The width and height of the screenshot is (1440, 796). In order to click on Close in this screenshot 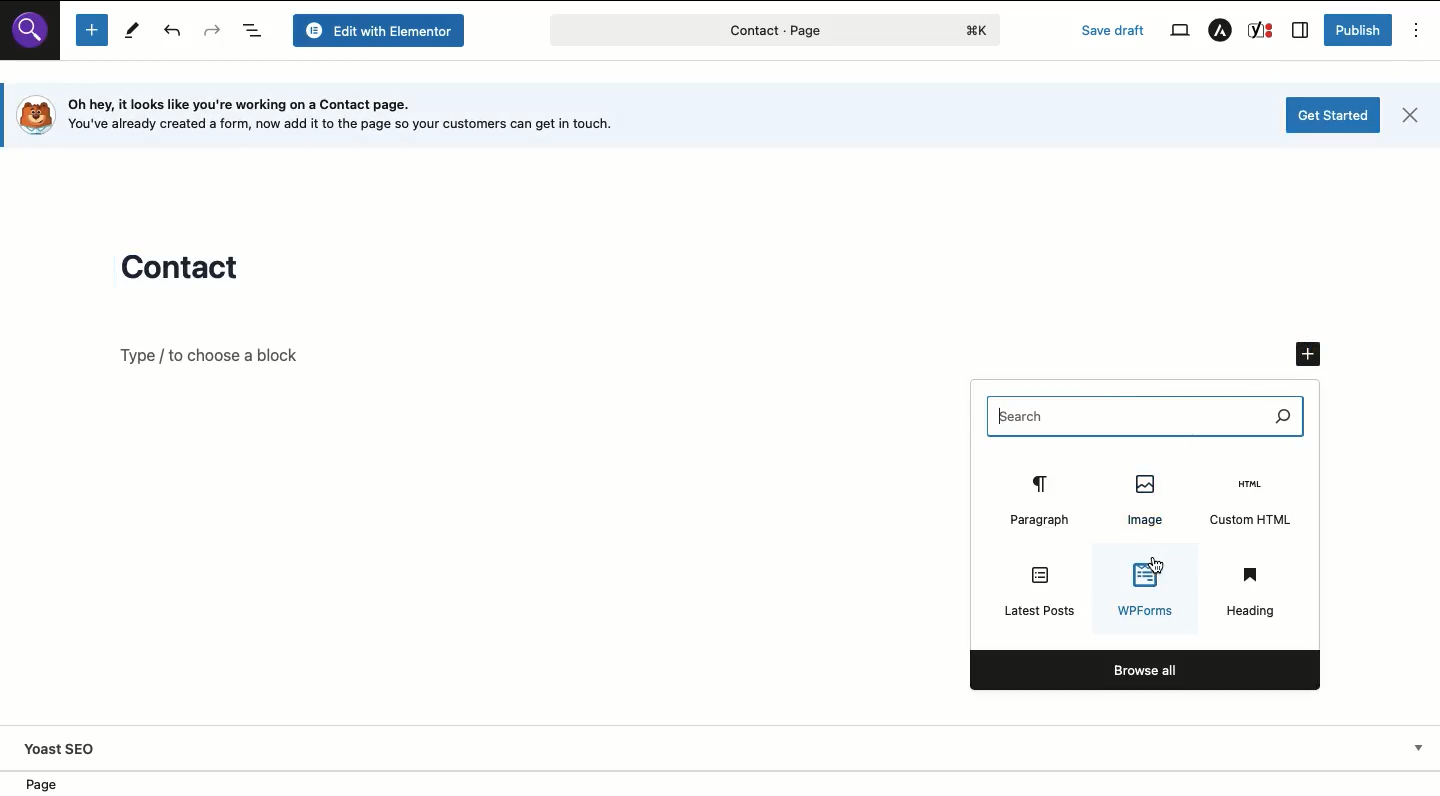, I will do `click(1409, 118)`.